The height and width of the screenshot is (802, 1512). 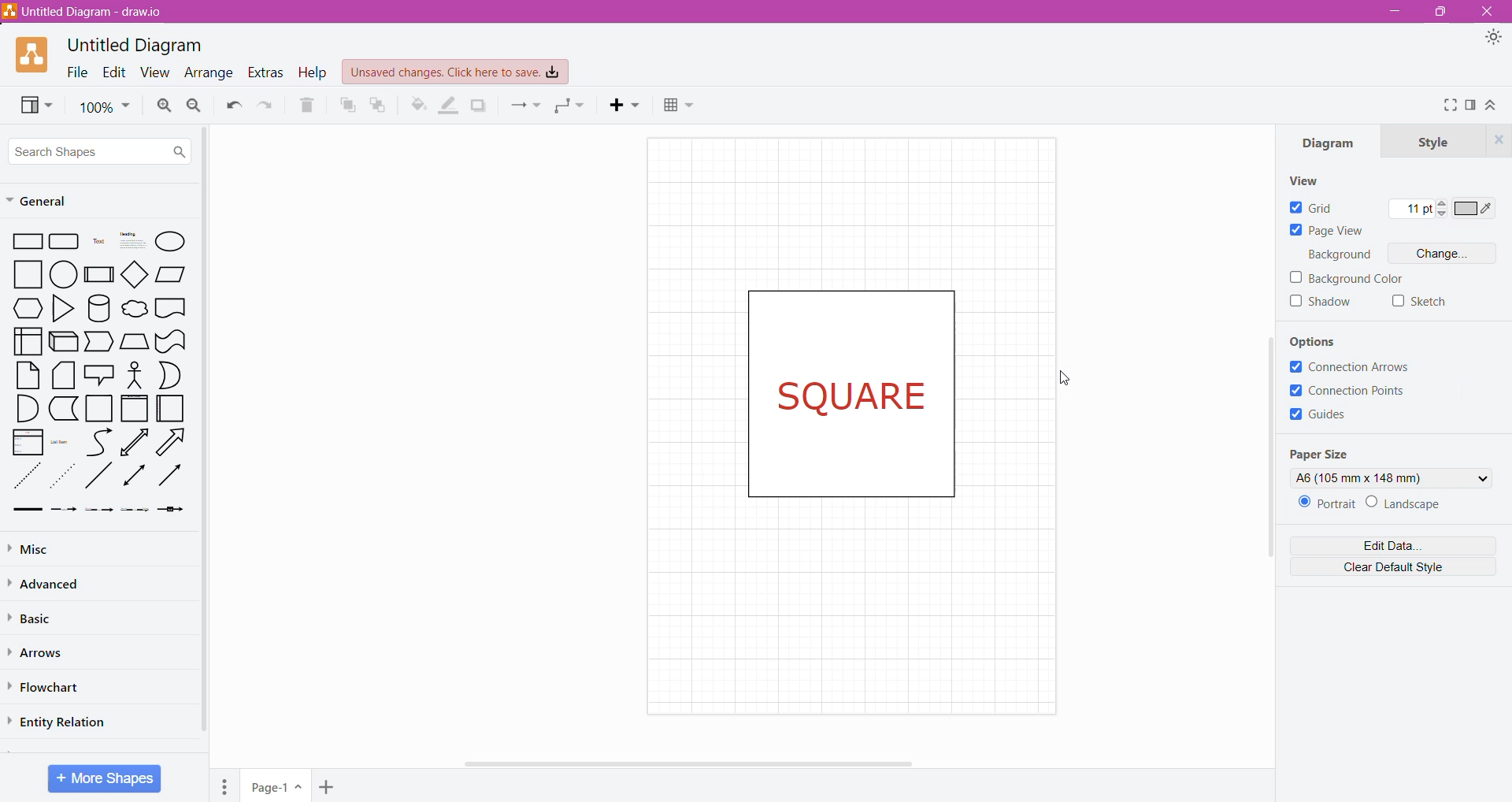 I want to click on Page Name, so click(x=276, y=787).